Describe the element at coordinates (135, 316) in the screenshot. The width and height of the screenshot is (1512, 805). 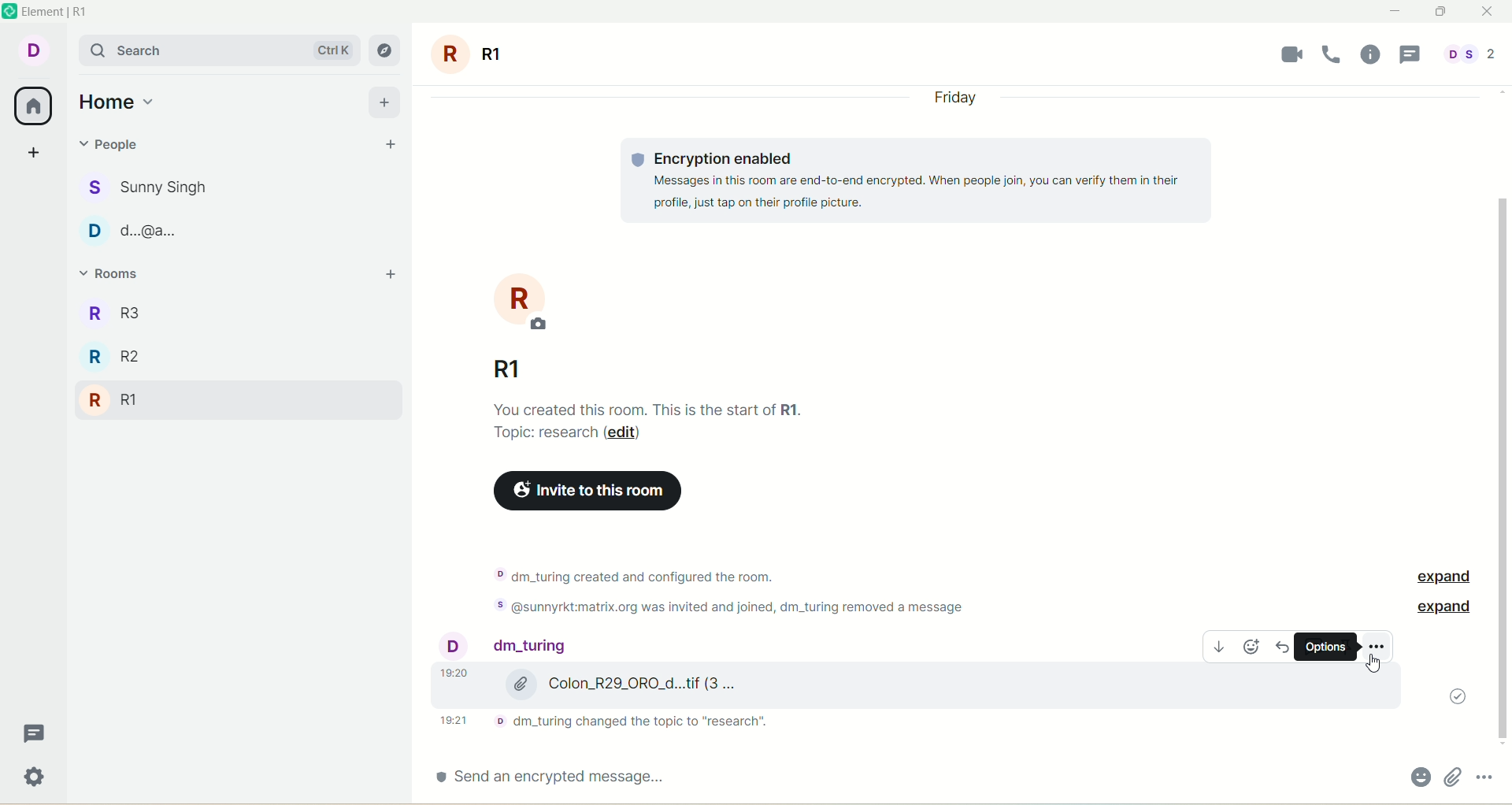
I see `R3` at that location.